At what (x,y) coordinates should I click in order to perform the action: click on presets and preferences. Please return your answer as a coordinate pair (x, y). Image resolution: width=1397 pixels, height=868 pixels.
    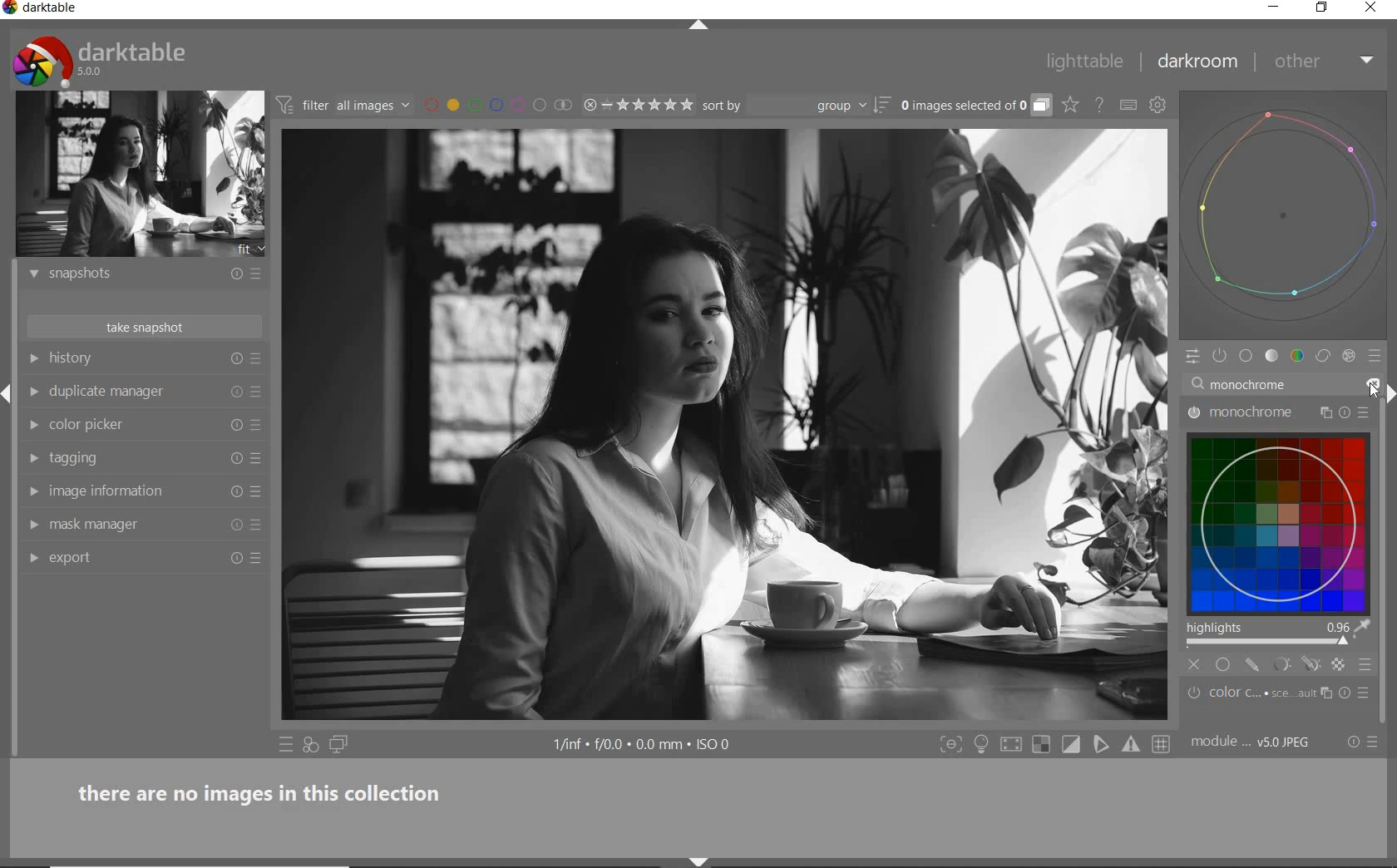
    Looking at the image, I should click on (255, 274).